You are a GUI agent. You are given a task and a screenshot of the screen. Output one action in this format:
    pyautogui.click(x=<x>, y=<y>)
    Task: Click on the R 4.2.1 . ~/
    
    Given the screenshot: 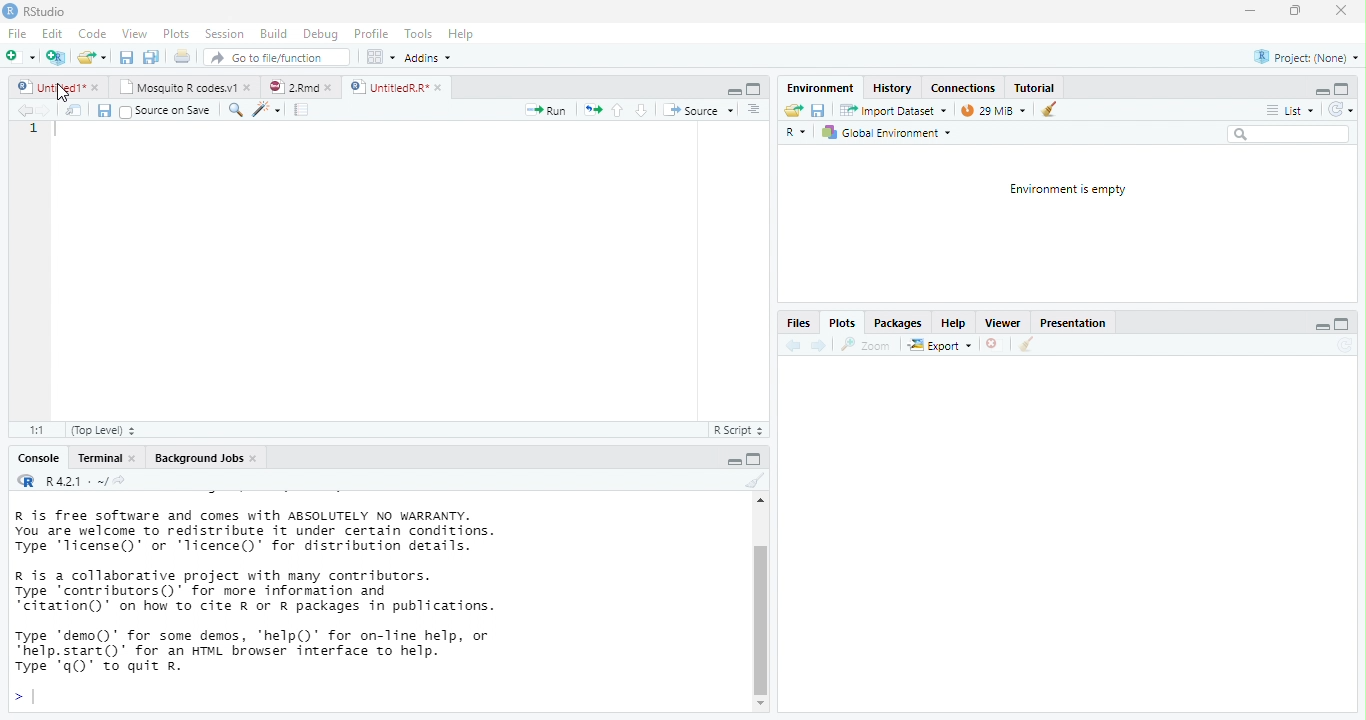 What is the action you would take?
    pyautogui.click(x=74, y=480)
    